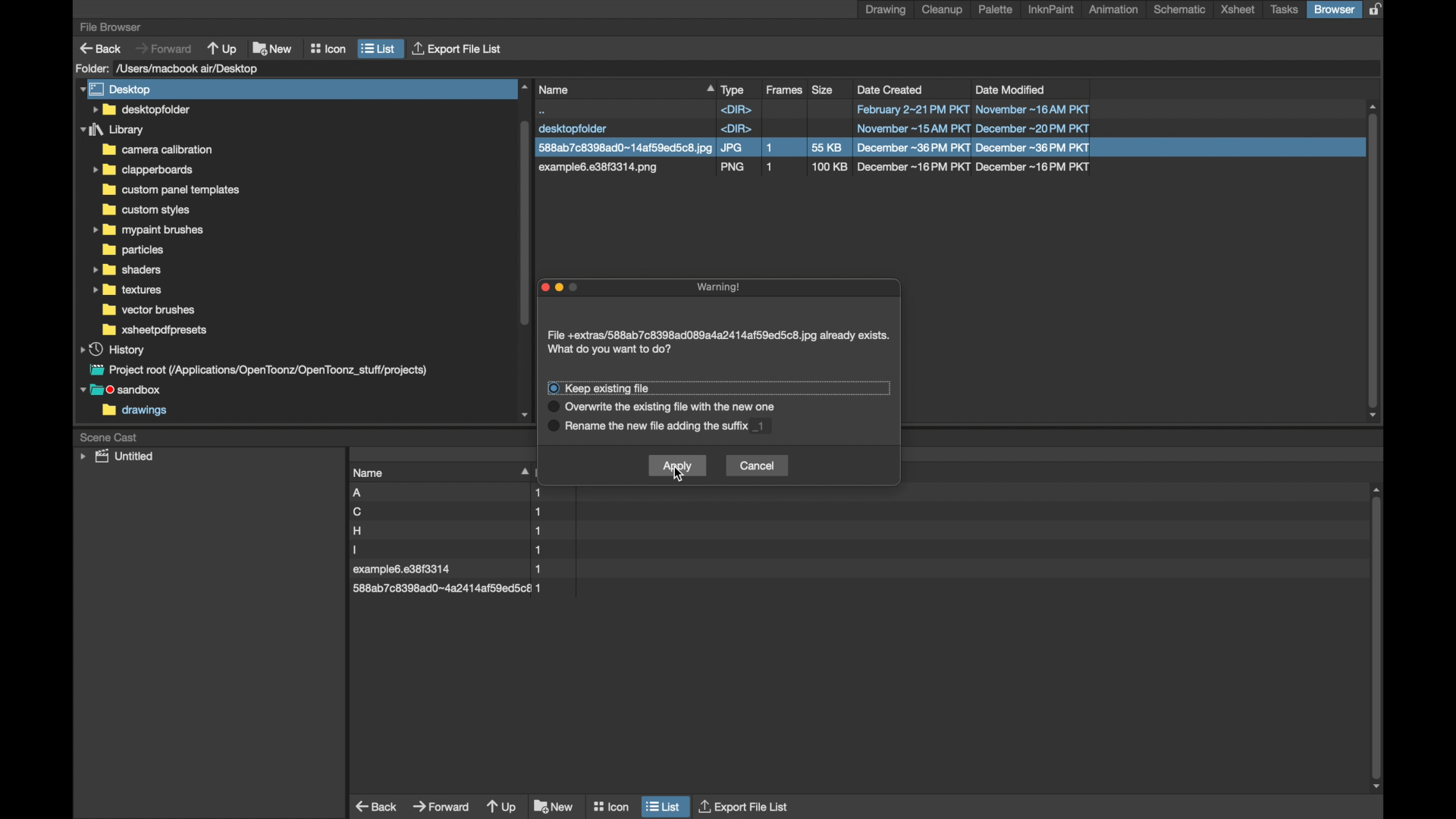 The image size is (1456, 819). What do you see at coordinates (1051, 10) in the screenshot?
I see `inknpaint ` at bounding box center [1051, 10].